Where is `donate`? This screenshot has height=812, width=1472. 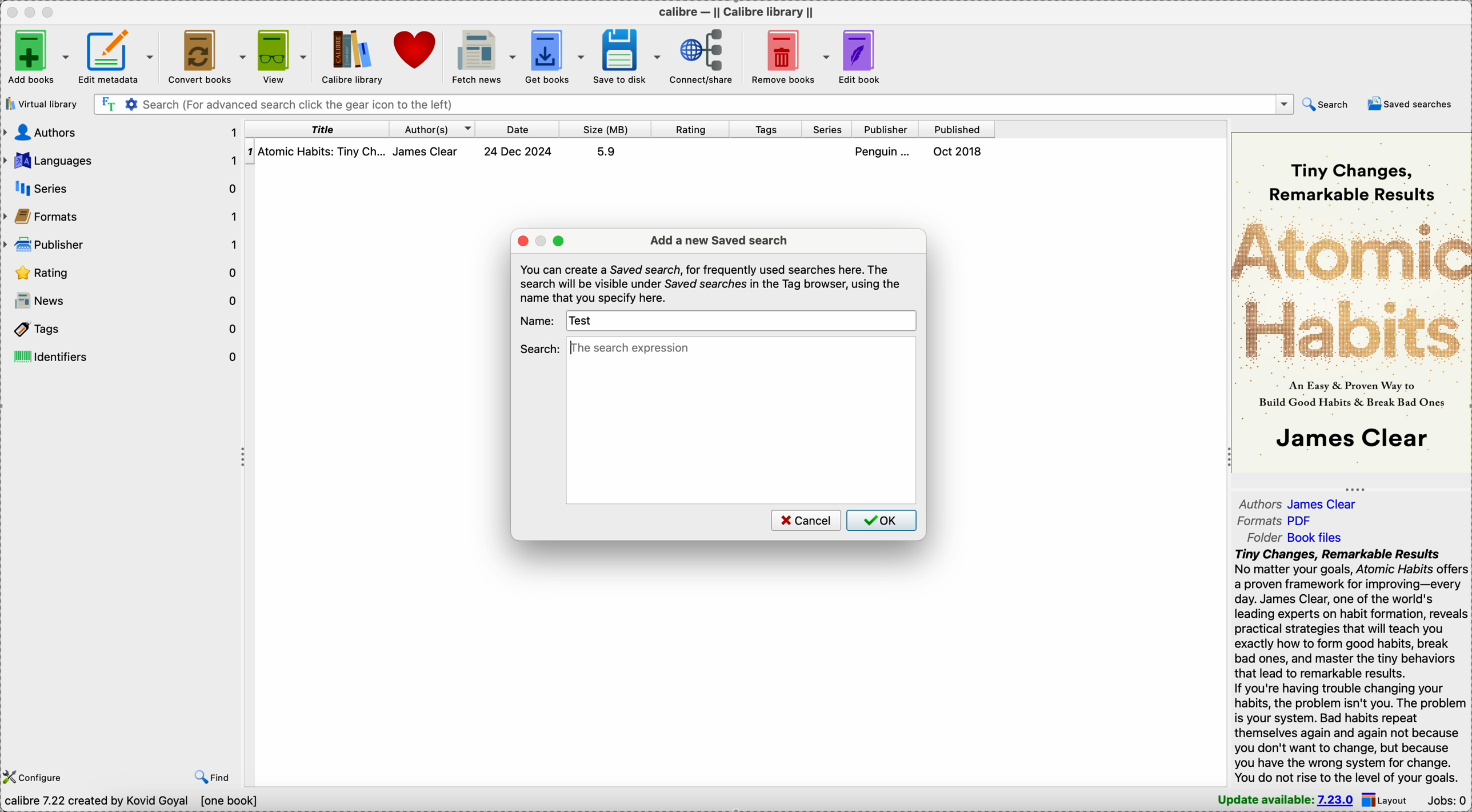
donate is located at coordinates (418, 52).